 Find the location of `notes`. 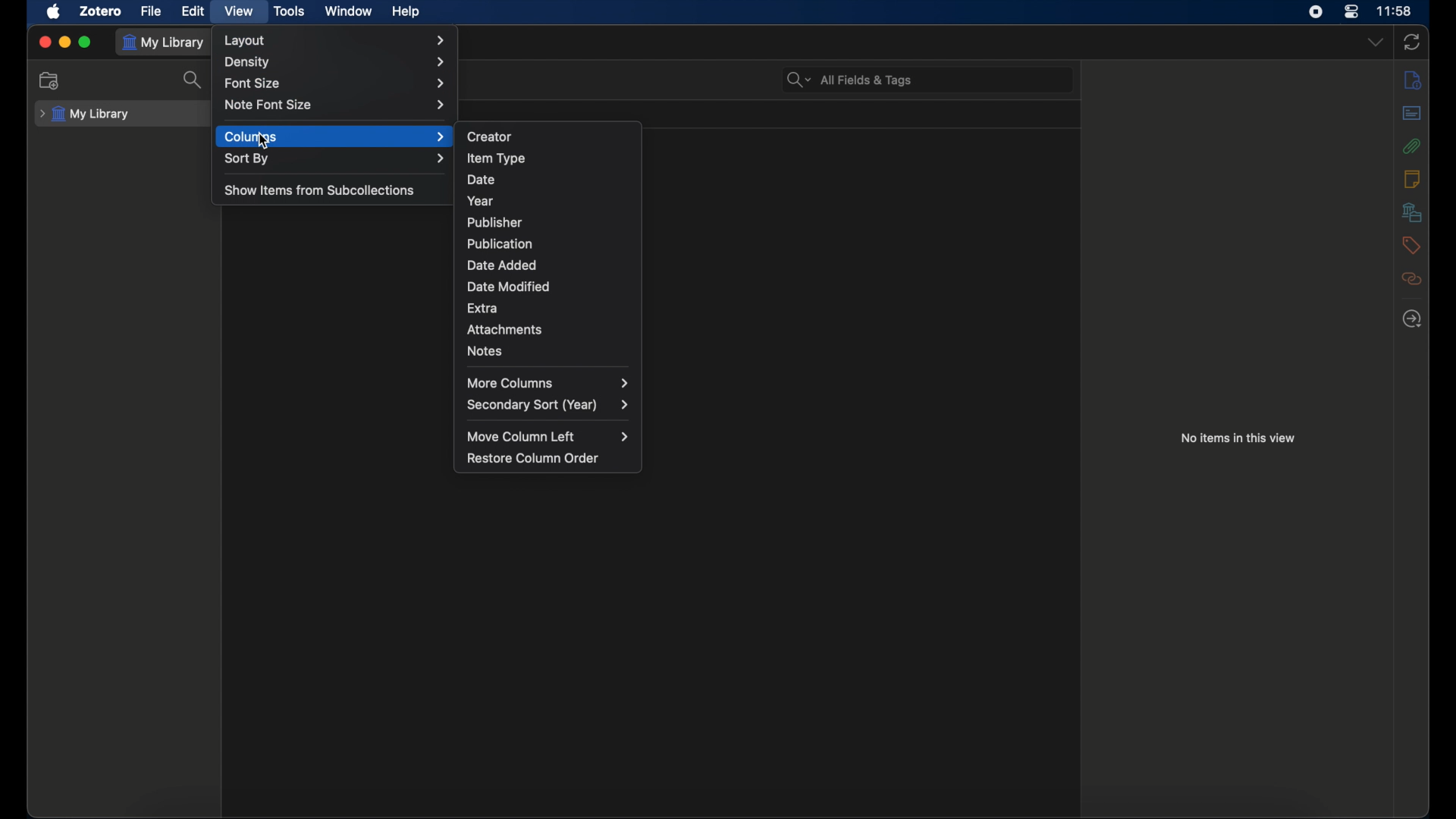

notes is located at coordinates (484, 351).